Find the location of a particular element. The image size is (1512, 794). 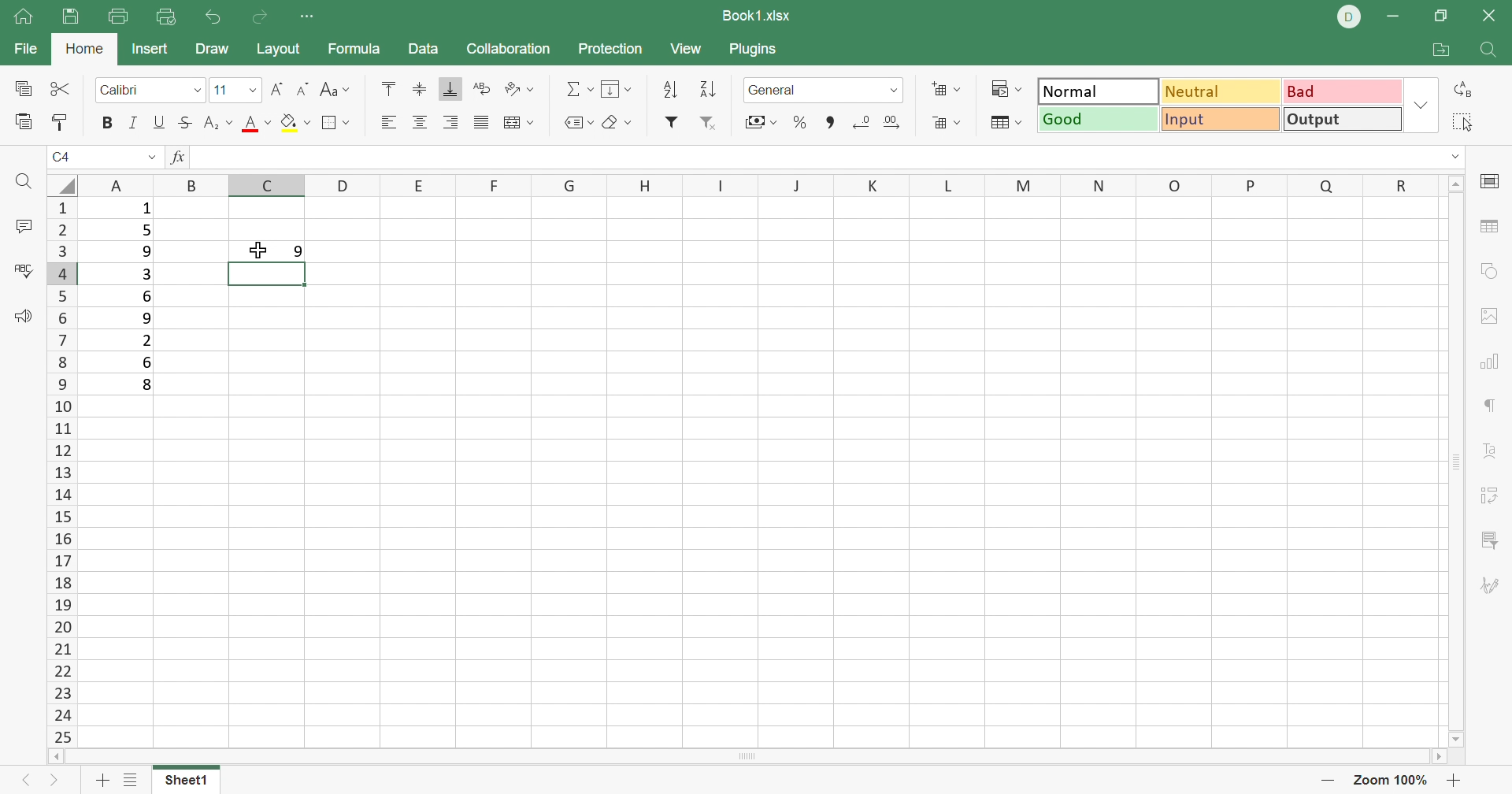

Comments is located at coordinates (21, 225).